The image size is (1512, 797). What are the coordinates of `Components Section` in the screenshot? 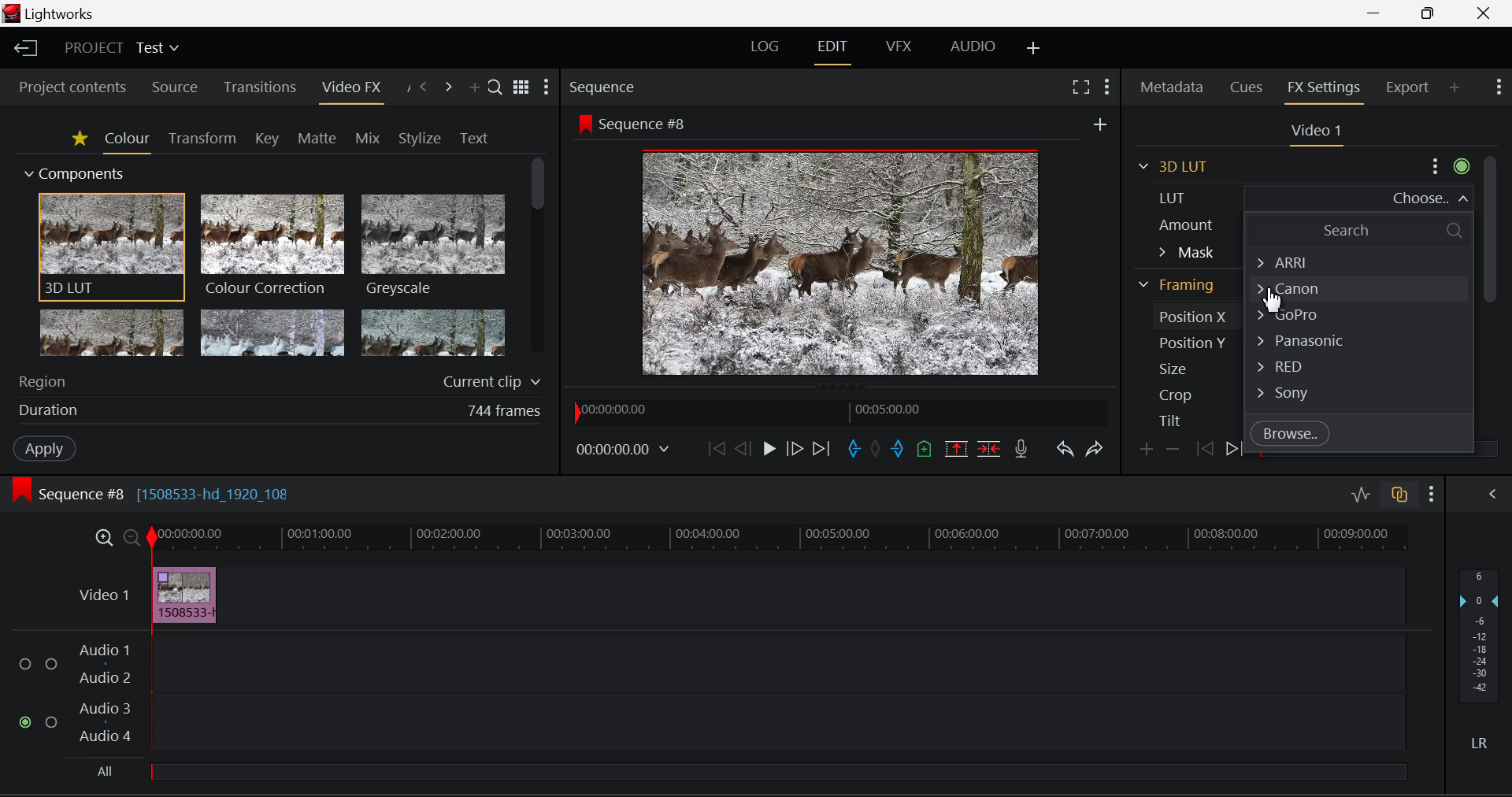 It's located at (76, 172).